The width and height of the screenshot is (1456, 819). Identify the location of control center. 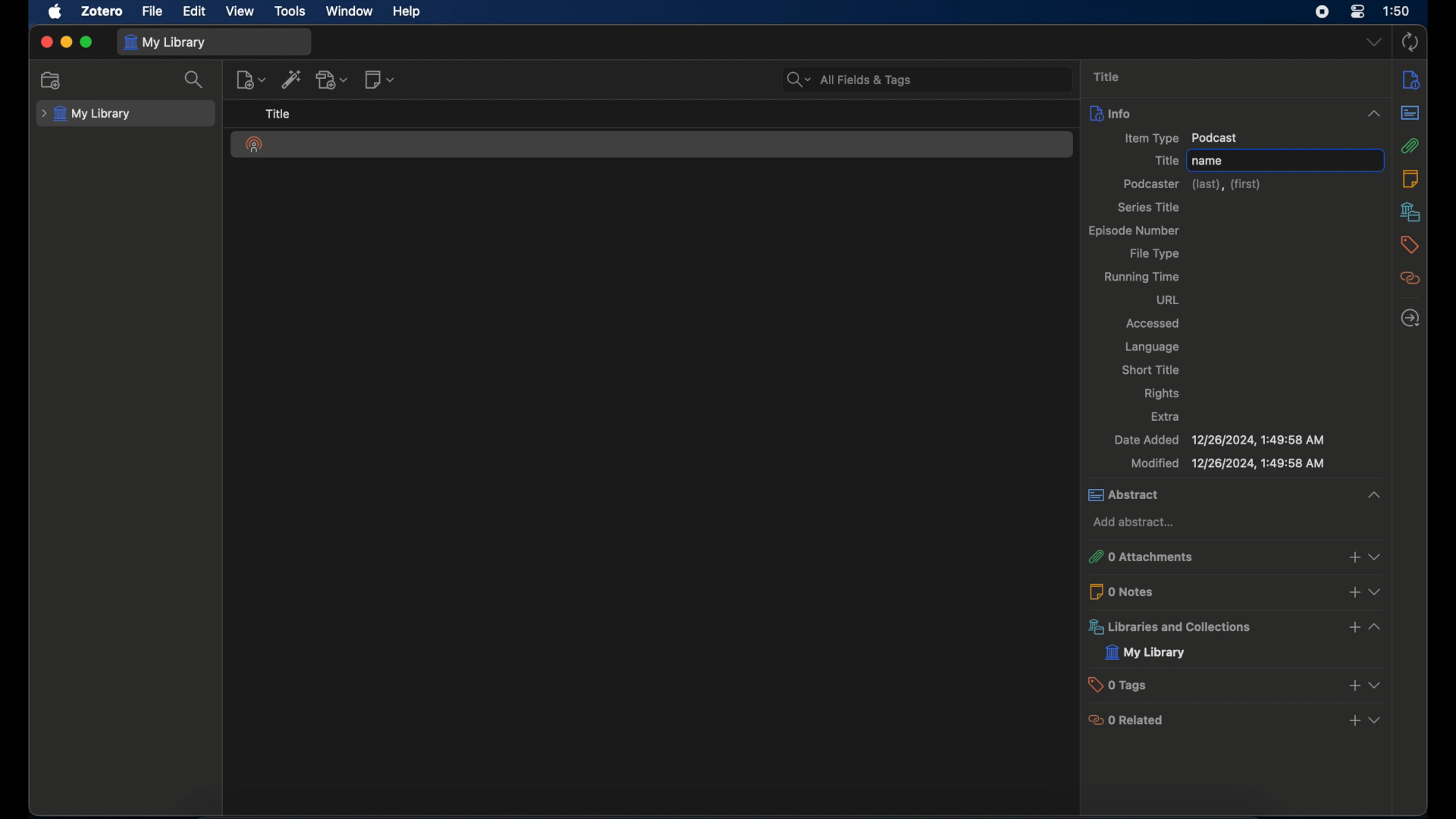
(1357, 12).